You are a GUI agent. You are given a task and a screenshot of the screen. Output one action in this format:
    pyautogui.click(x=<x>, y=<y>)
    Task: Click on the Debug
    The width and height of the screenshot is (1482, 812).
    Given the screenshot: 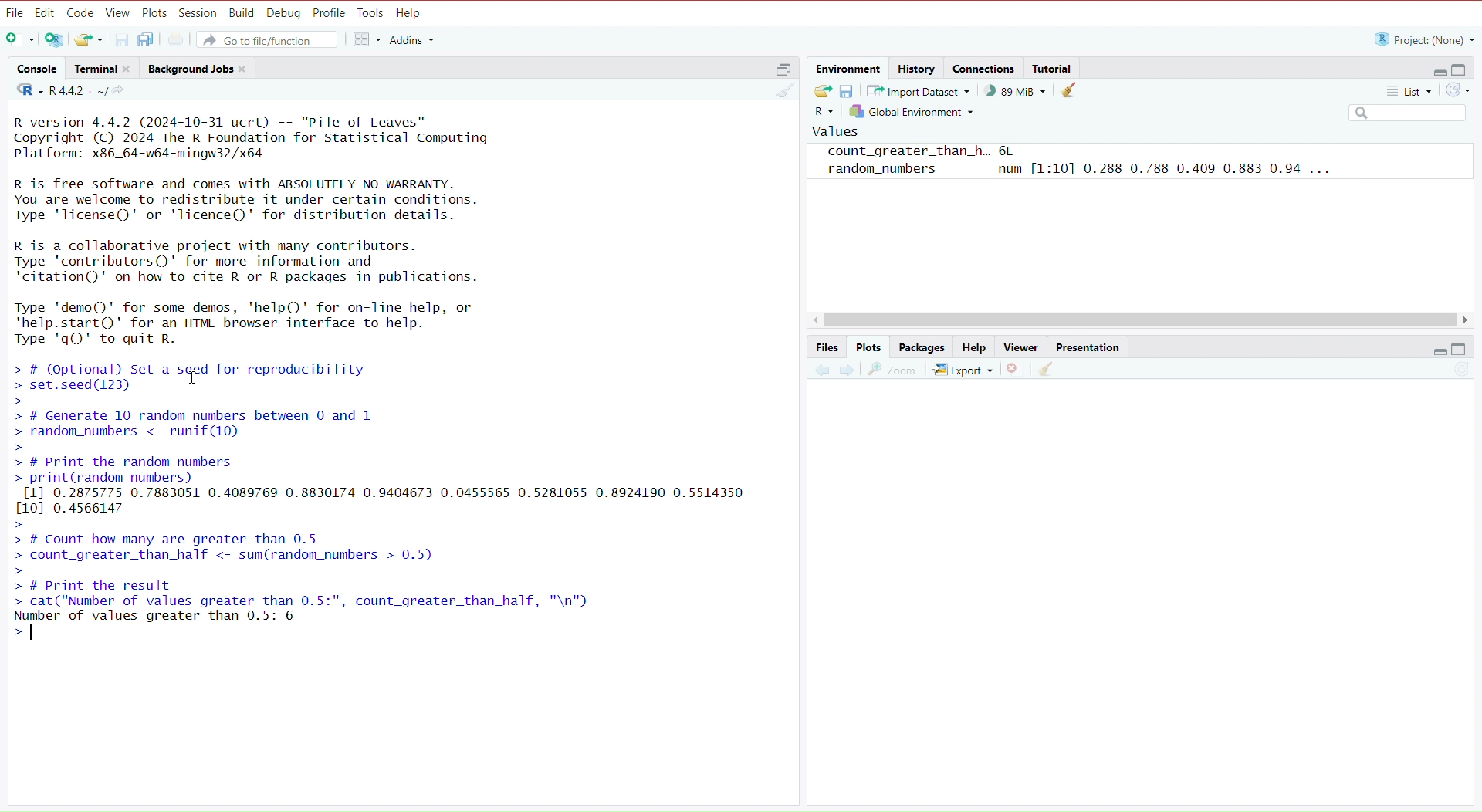 What is the action you would take?
    pyautogui.click(x=284, y=12)
    